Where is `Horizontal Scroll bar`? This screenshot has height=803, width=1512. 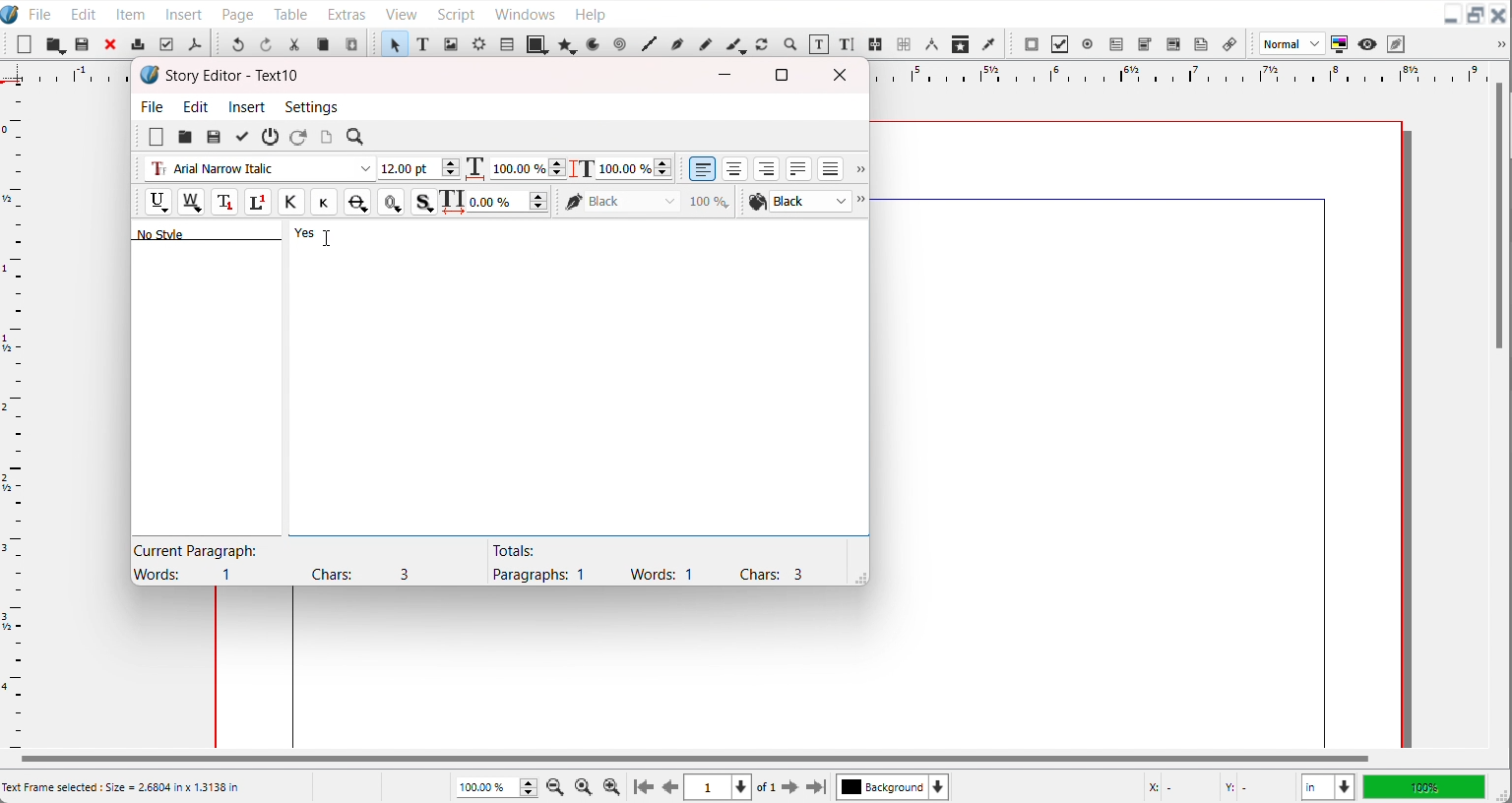
Horizontal Scroll bar is located at coordinates (692, 759).